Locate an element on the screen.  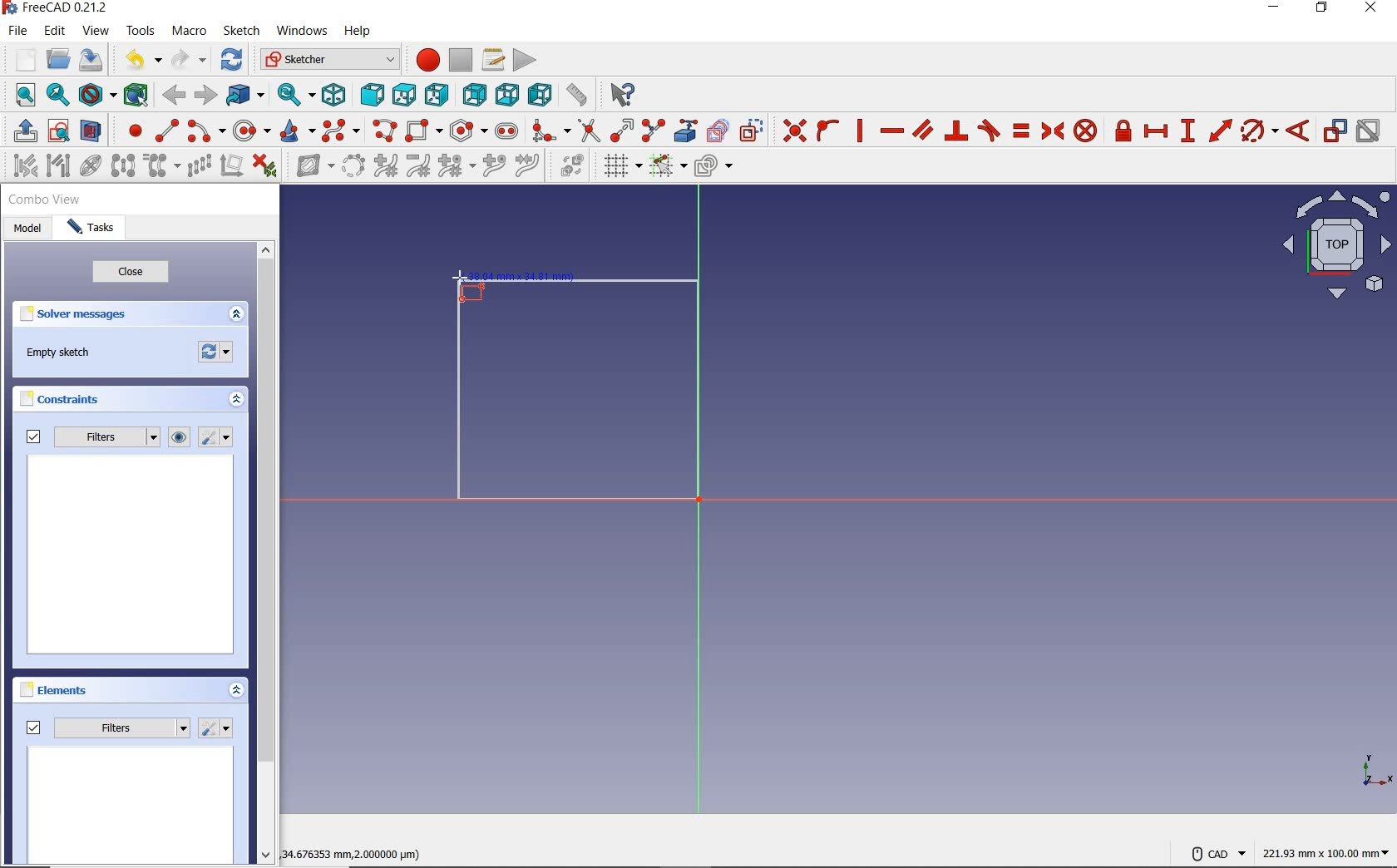
convert geometry to b-spline is located at coordinates (353, 165).